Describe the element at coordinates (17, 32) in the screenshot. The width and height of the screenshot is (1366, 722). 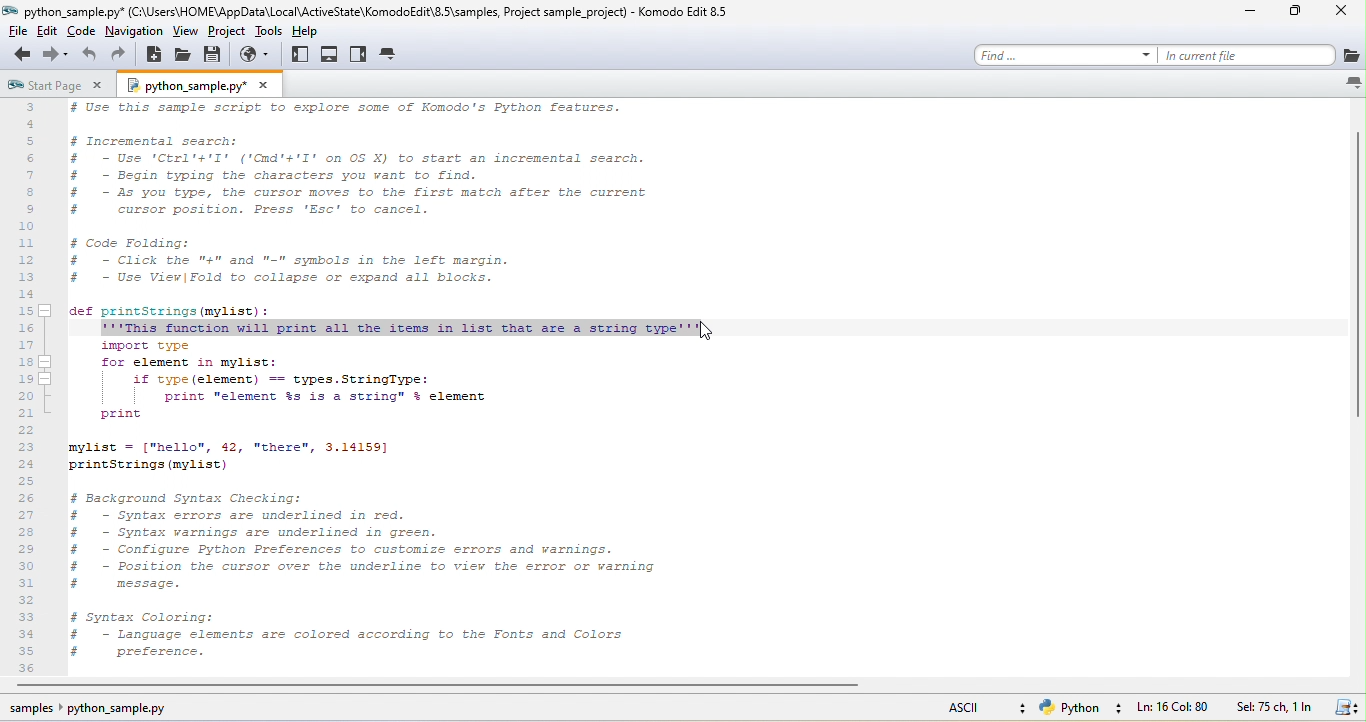
I see `file` at that location.